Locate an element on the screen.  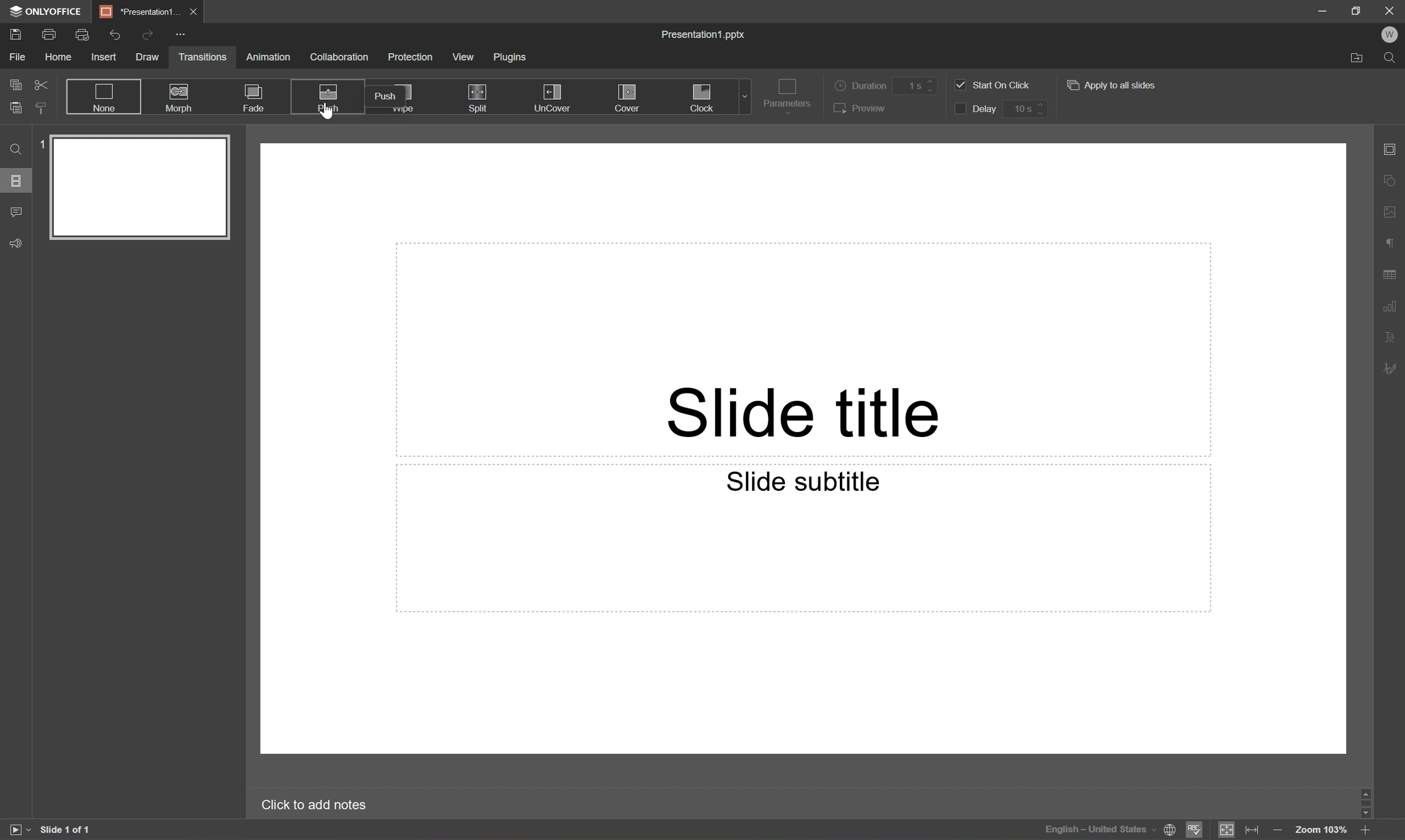
Push is located at coordinates (328, 98).